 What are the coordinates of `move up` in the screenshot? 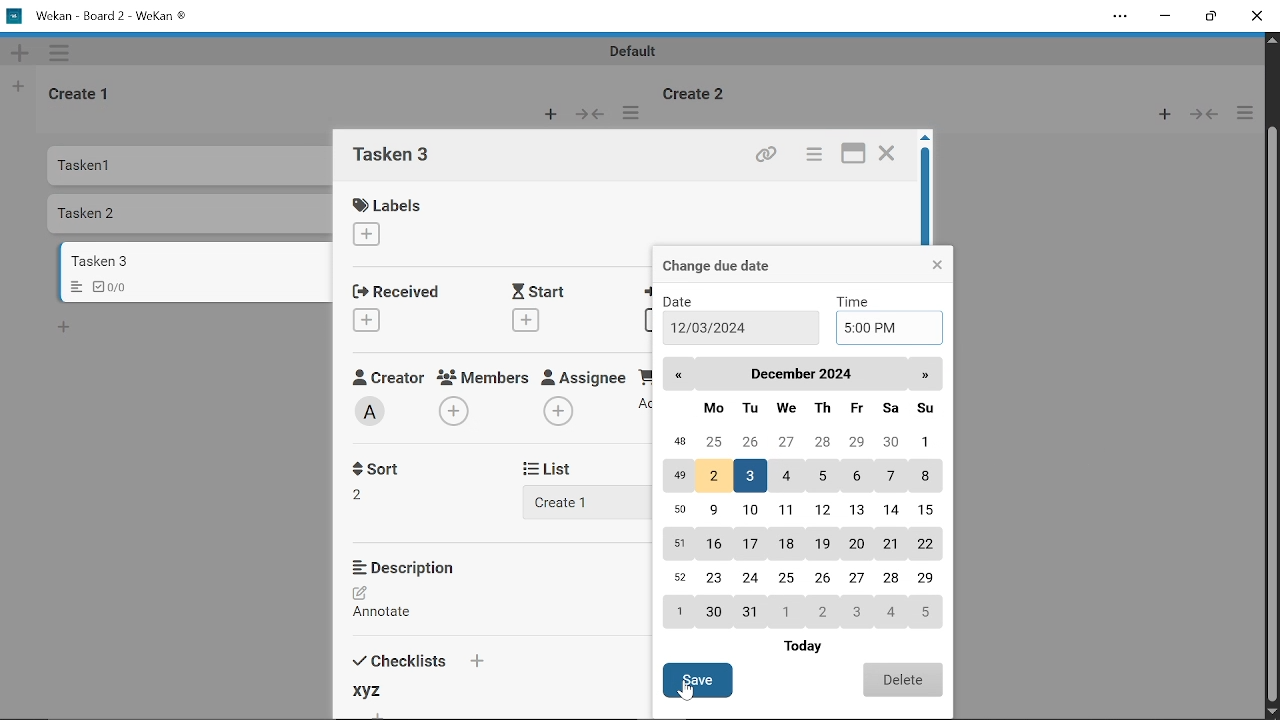 It's located at (926, 140).